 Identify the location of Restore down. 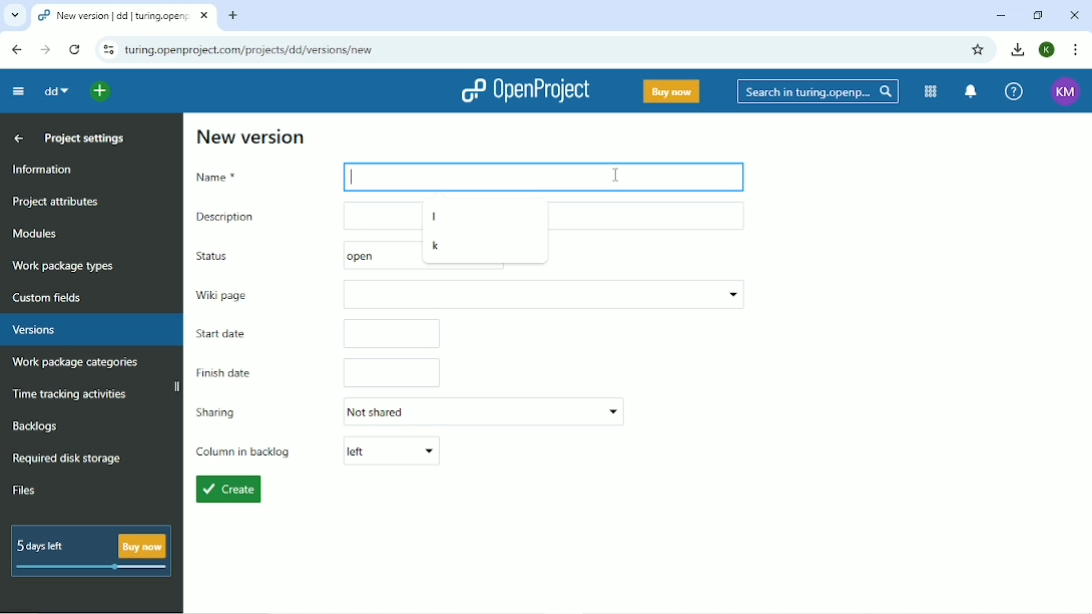
(1039, 15).